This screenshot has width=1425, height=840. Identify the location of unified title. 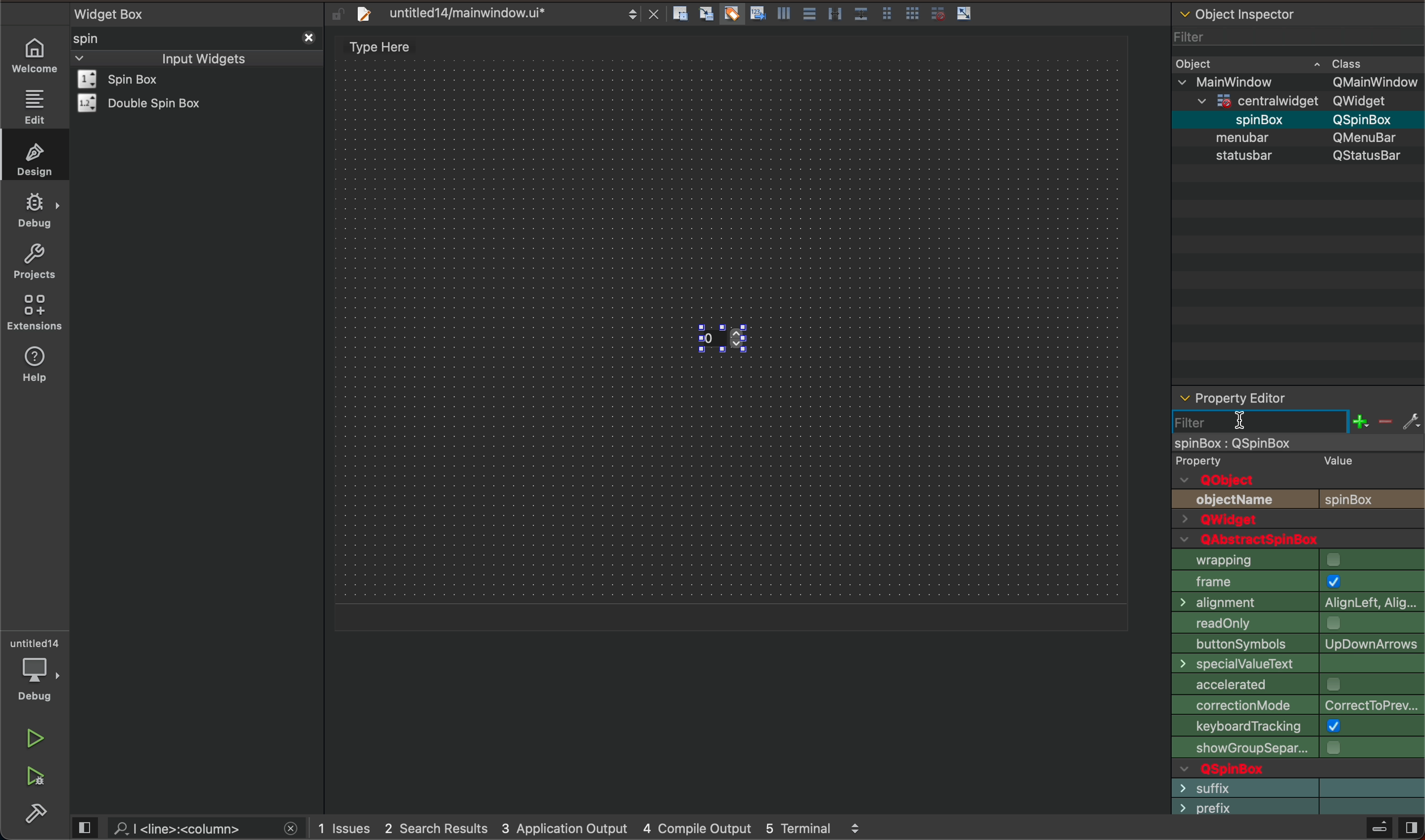
(1298, 705).